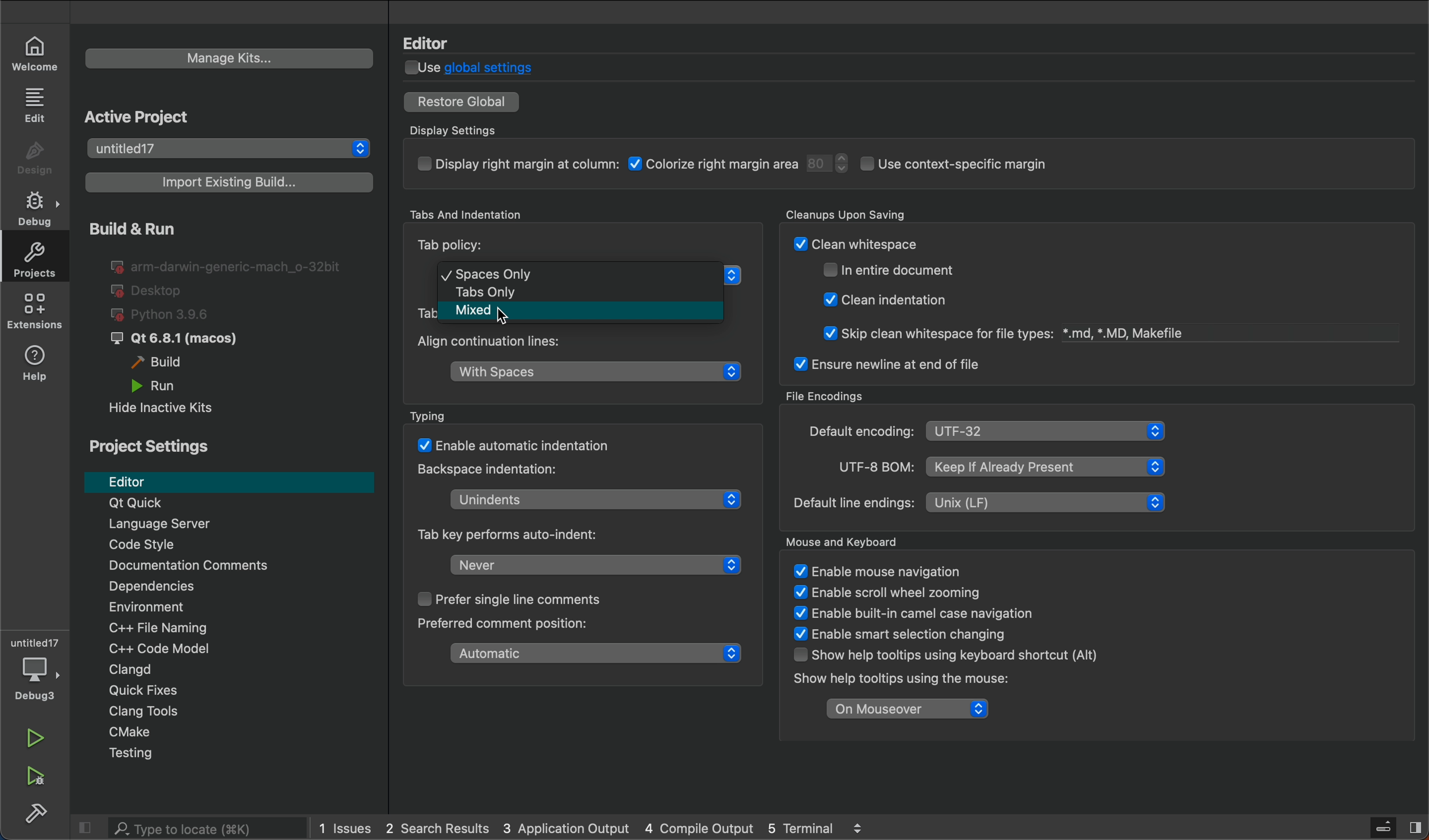  Describe the element at coordinates (469, 215) in the screenshot. I see `Tabs And Indentation` at that location.